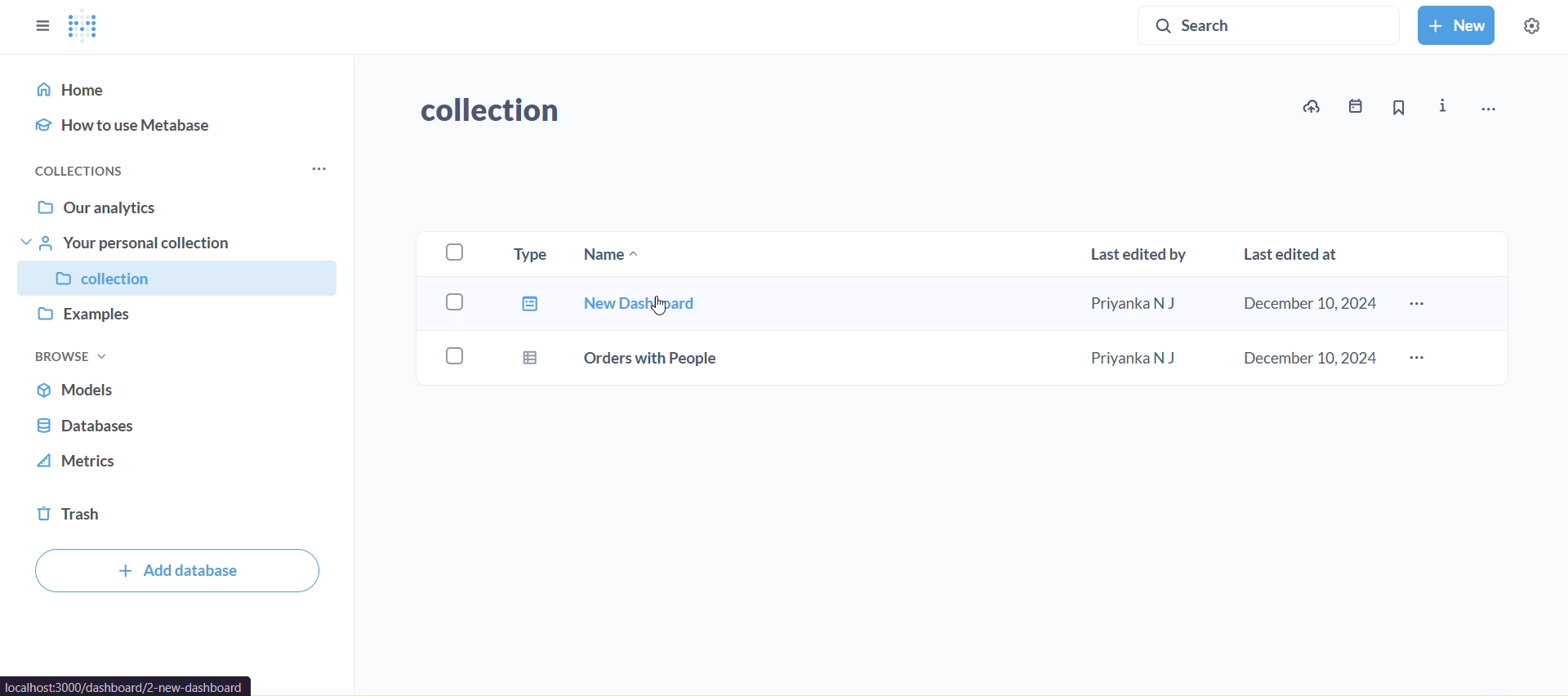 Image resolution: width=1568 pixels, height=696 pixels. Describe the element at coordinates (1310, 107) in the screenshot. I see `upload data to collection` at that location.